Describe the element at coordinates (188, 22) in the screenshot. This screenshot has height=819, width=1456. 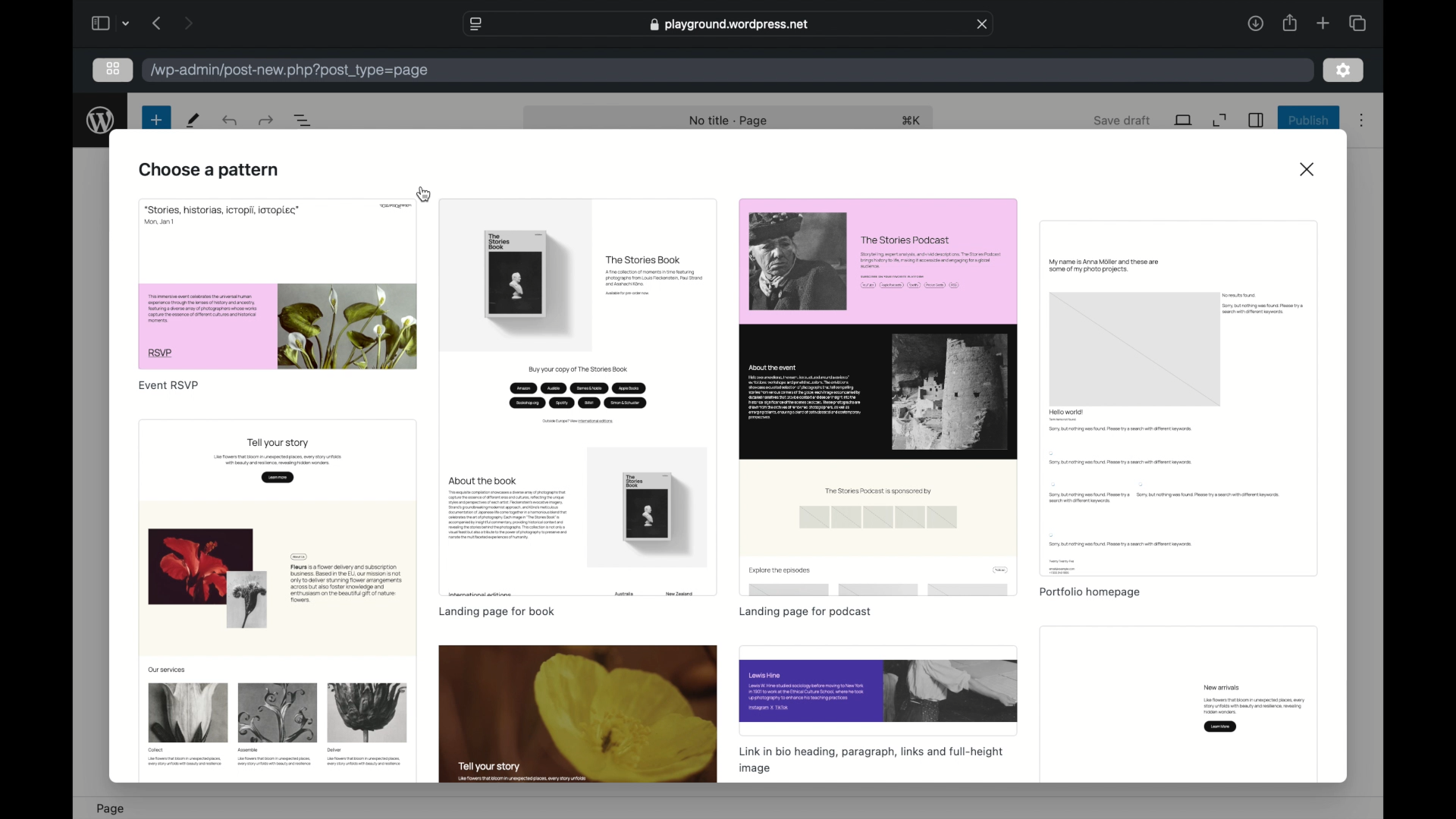
I see `next page` at that location.